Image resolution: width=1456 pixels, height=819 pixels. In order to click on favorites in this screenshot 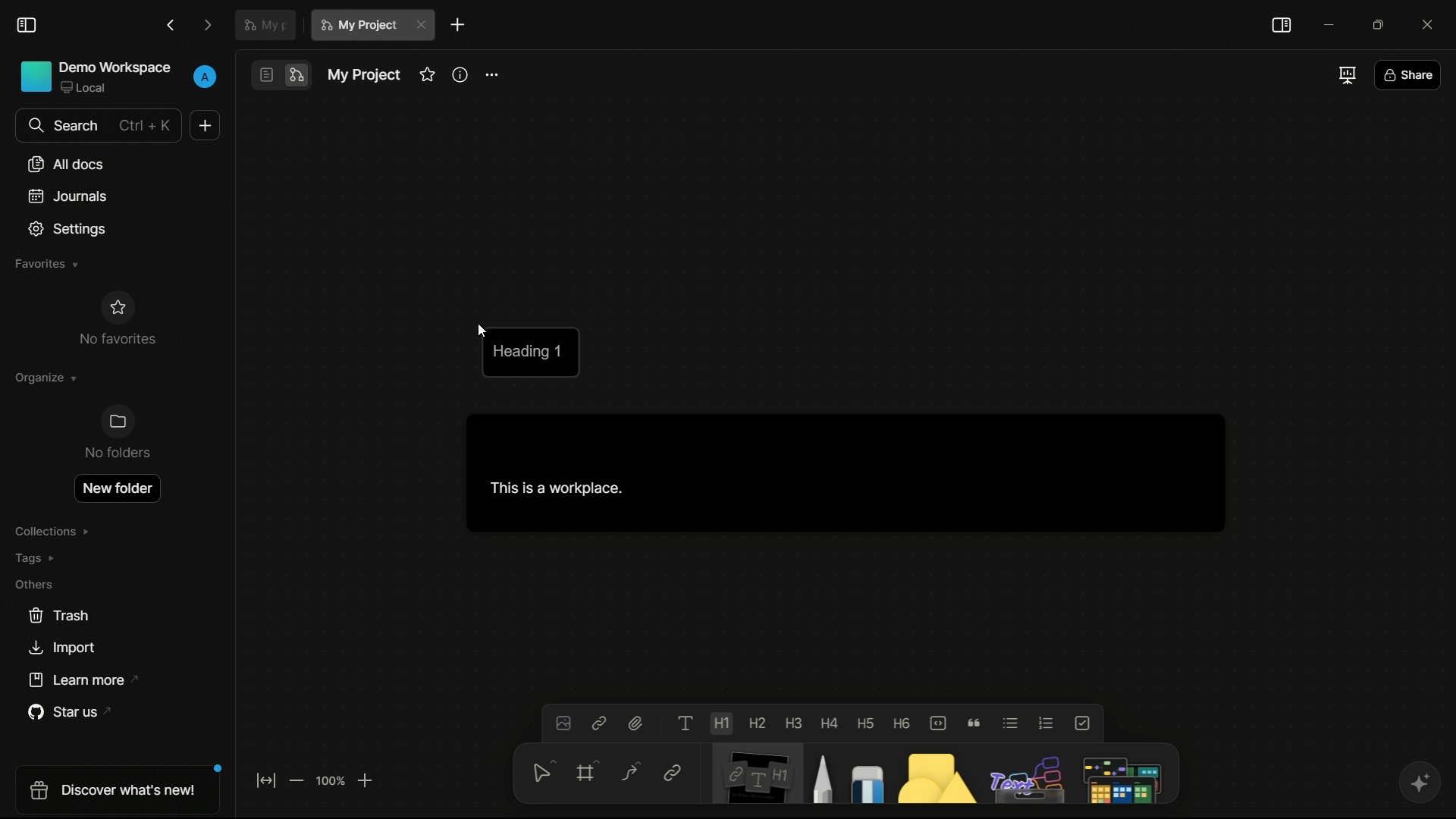, I will do `click(428, 74)`.